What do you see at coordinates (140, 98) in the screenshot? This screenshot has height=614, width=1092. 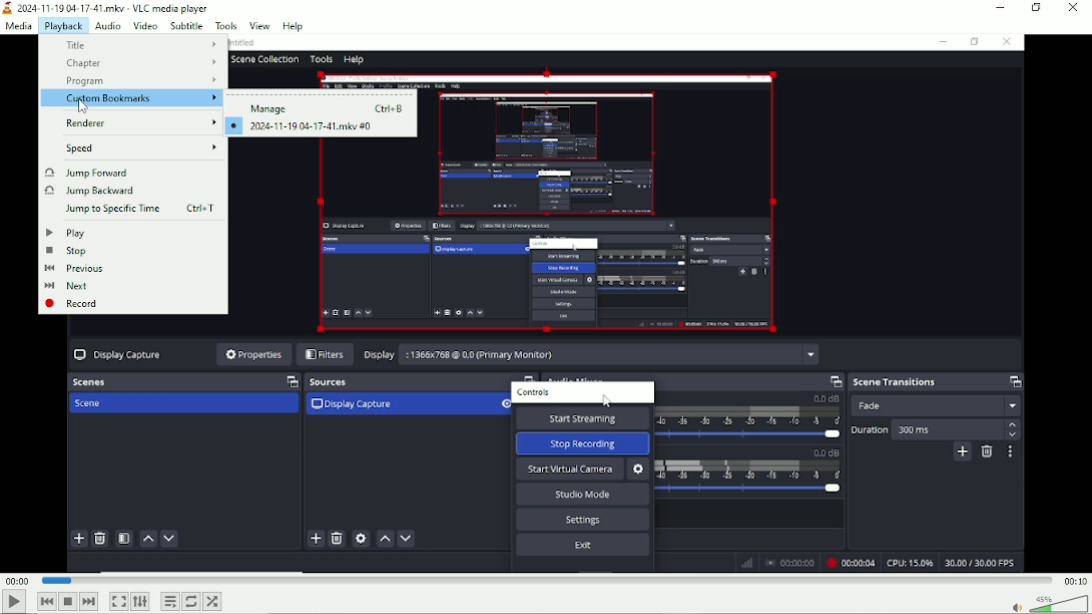 I see `Custom bookmarks` at bounding box center [140, 98].